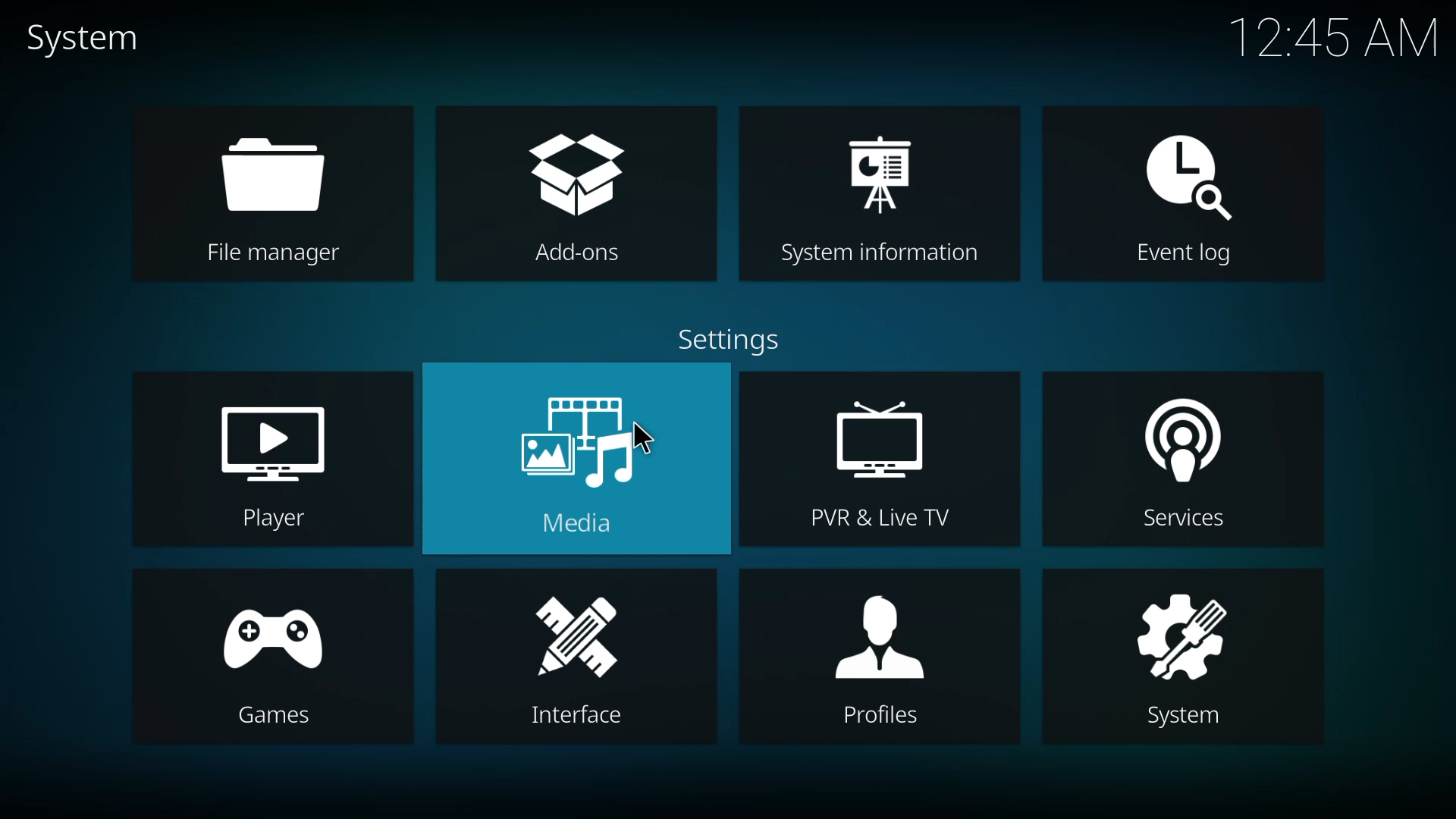 This screenshot has height=819, width=1456. What do you see at coordinates (883, 196) in the screenshot?
I see `system information` at bounding box center [883, 196].